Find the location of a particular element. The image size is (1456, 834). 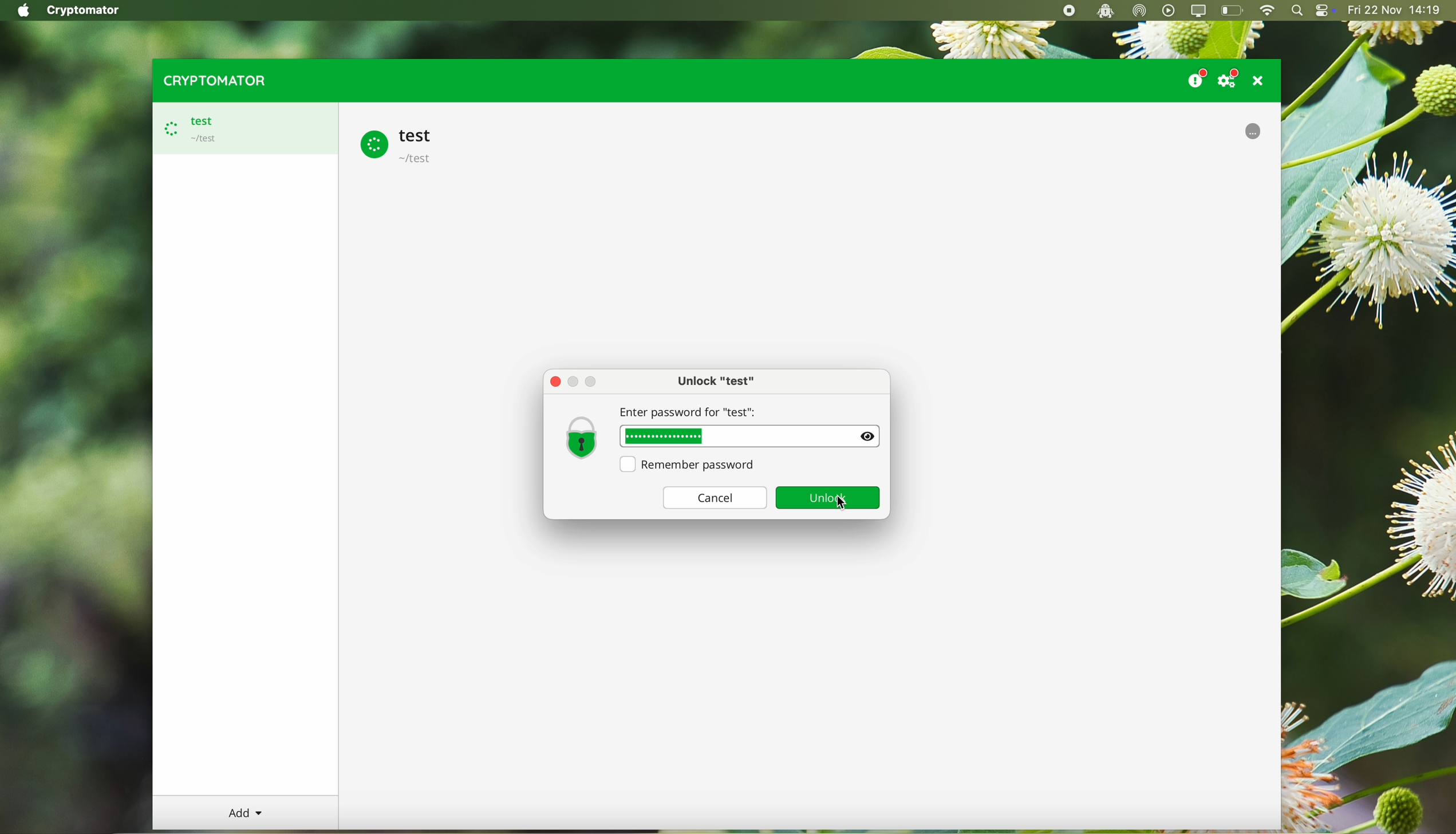

cryptomator open is located at coordinates (1103, 11).